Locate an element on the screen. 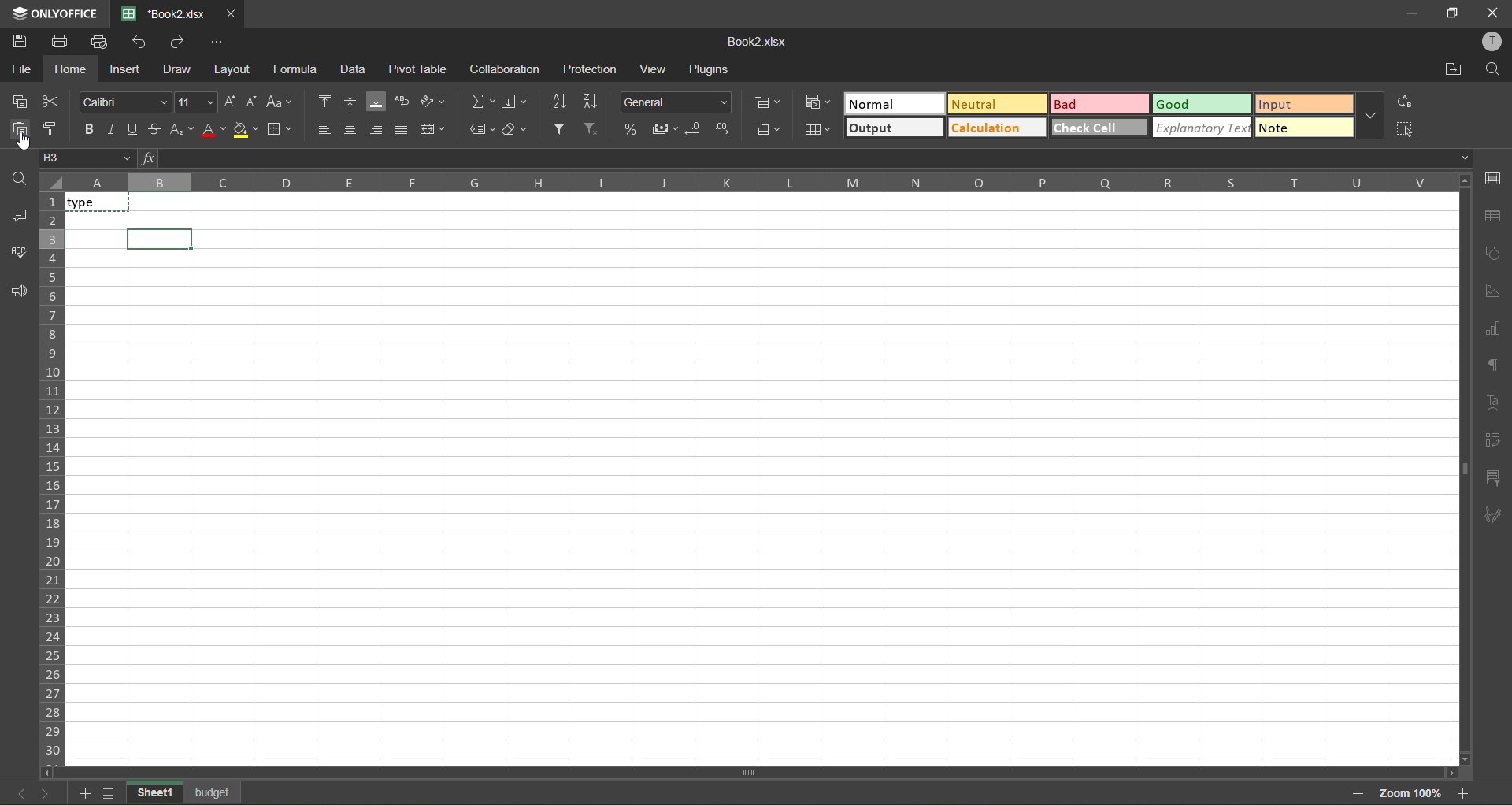  output is located at coordinates (895, 128).